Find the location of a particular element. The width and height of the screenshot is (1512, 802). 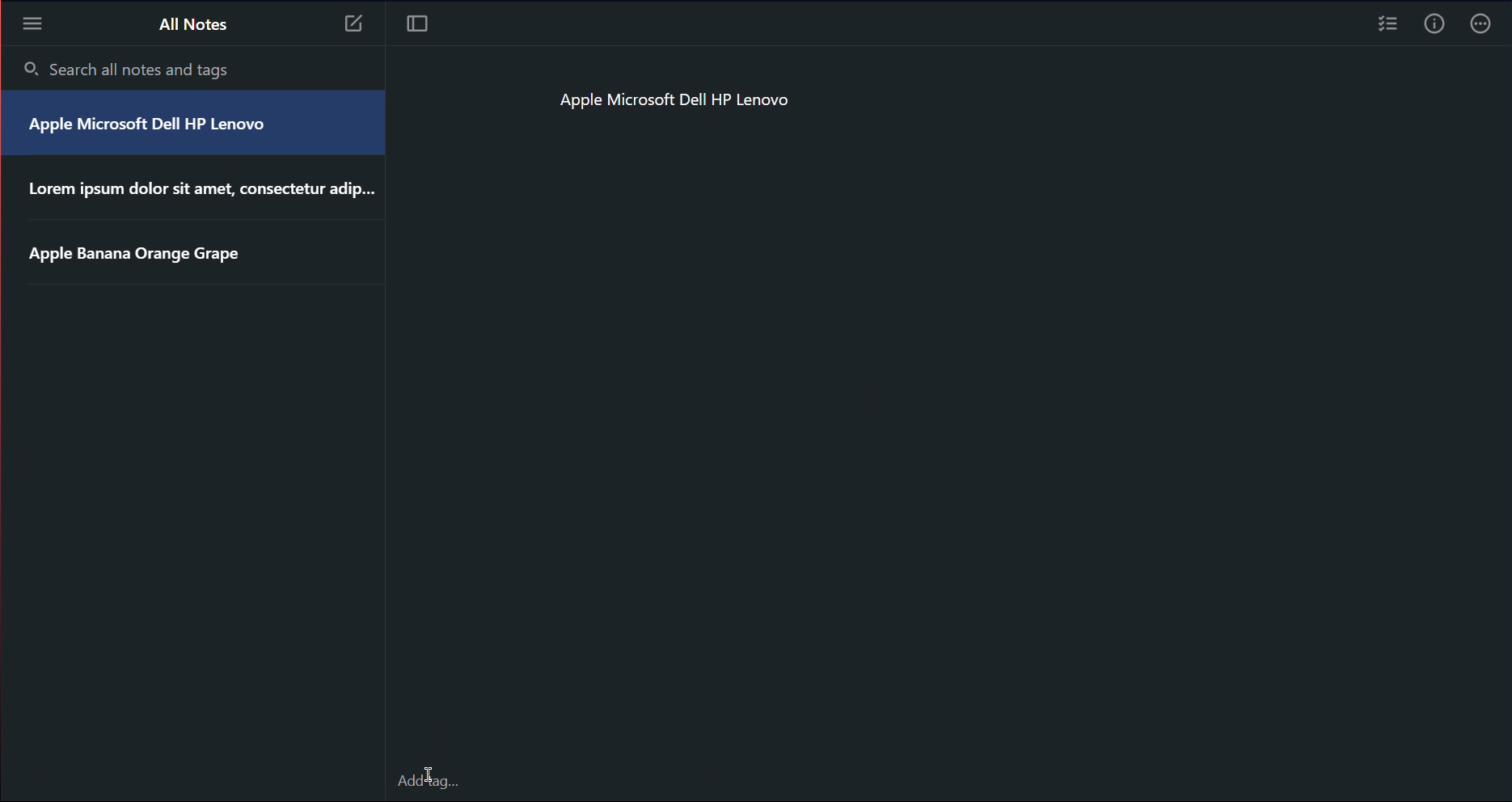

Lorem ipsum dolor sit amet, consectetur adip... is located at coordinates (197, 189).